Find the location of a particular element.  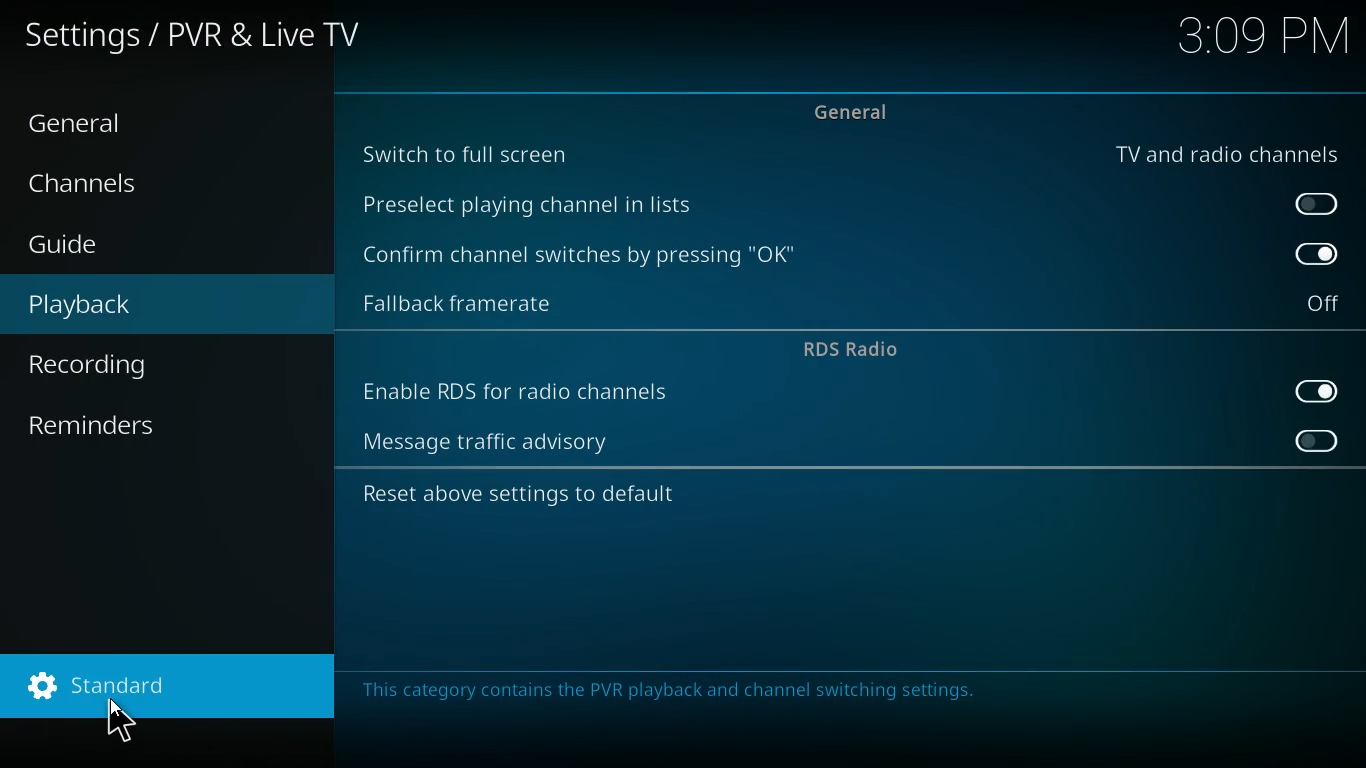

standard is located at coordinates (163, 688).